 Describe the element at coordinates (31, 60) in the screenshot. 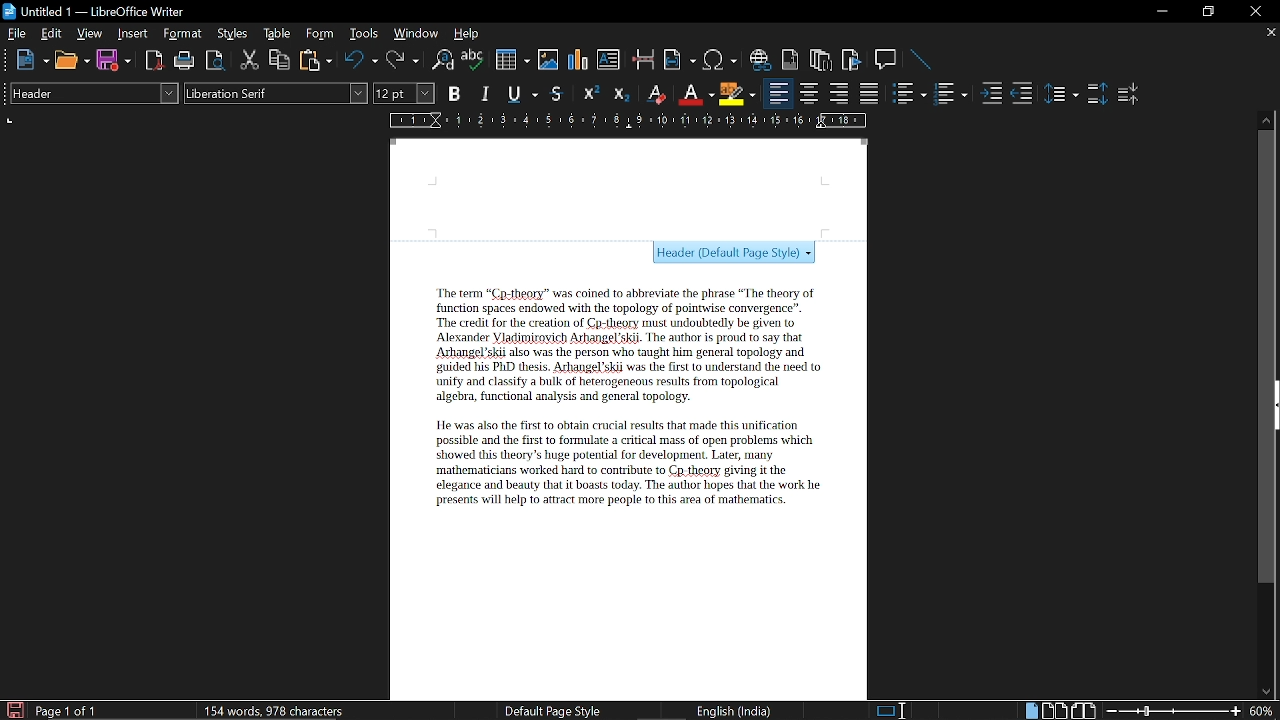

I see `NEw` at that location.